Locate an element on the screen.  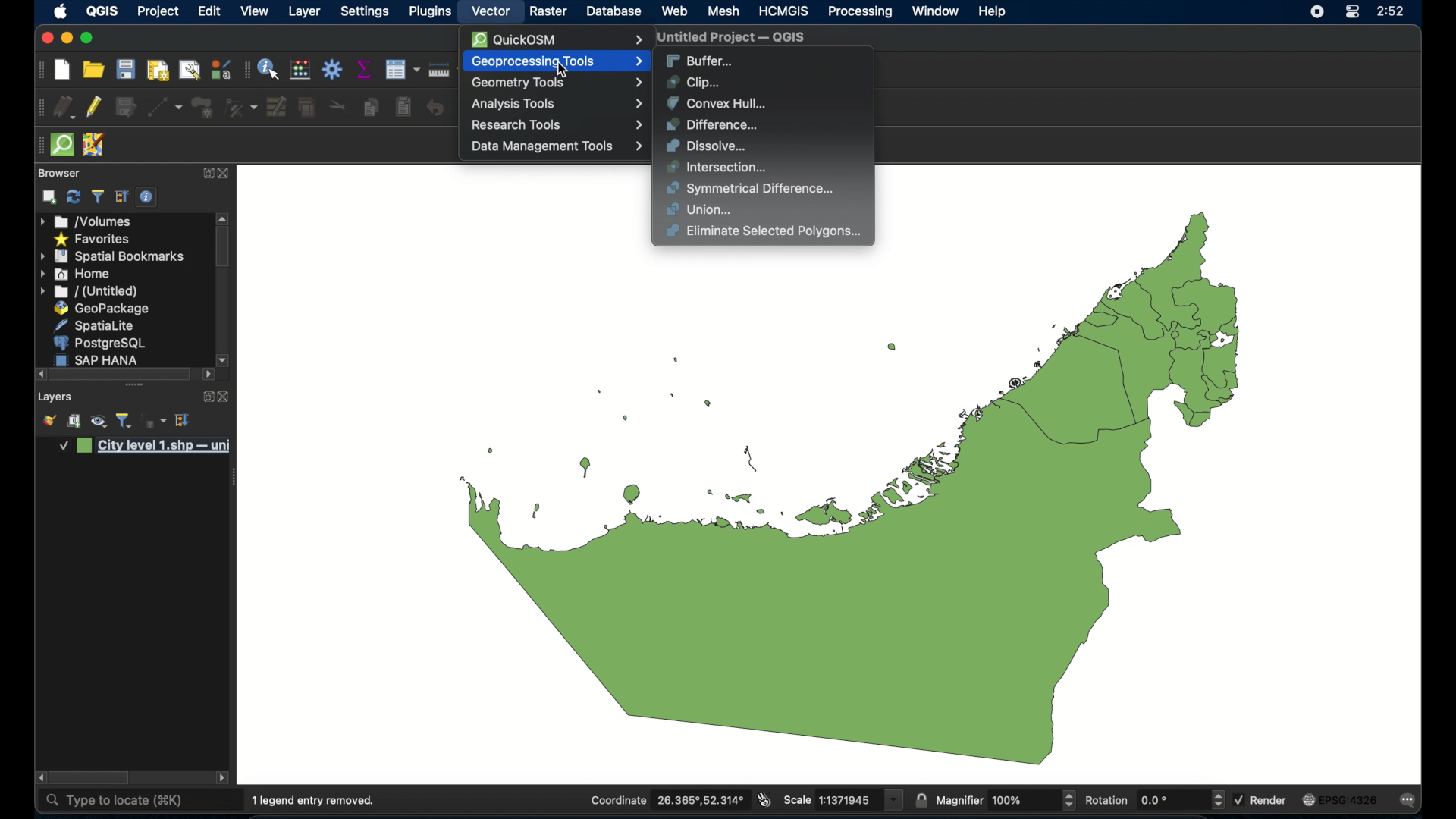
rotation is located at coordinates (1153, 800).